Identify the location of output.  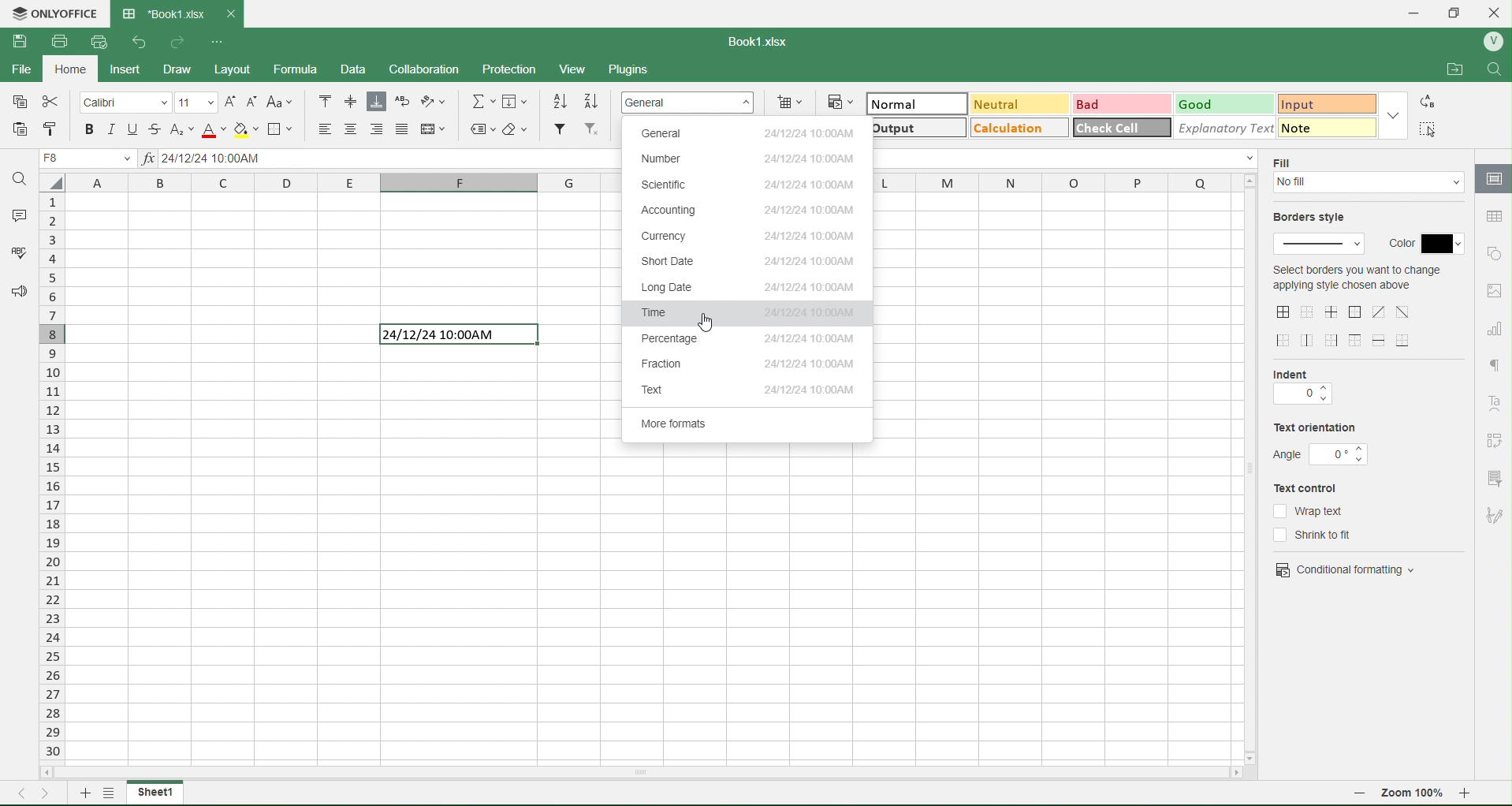
(900, 130).